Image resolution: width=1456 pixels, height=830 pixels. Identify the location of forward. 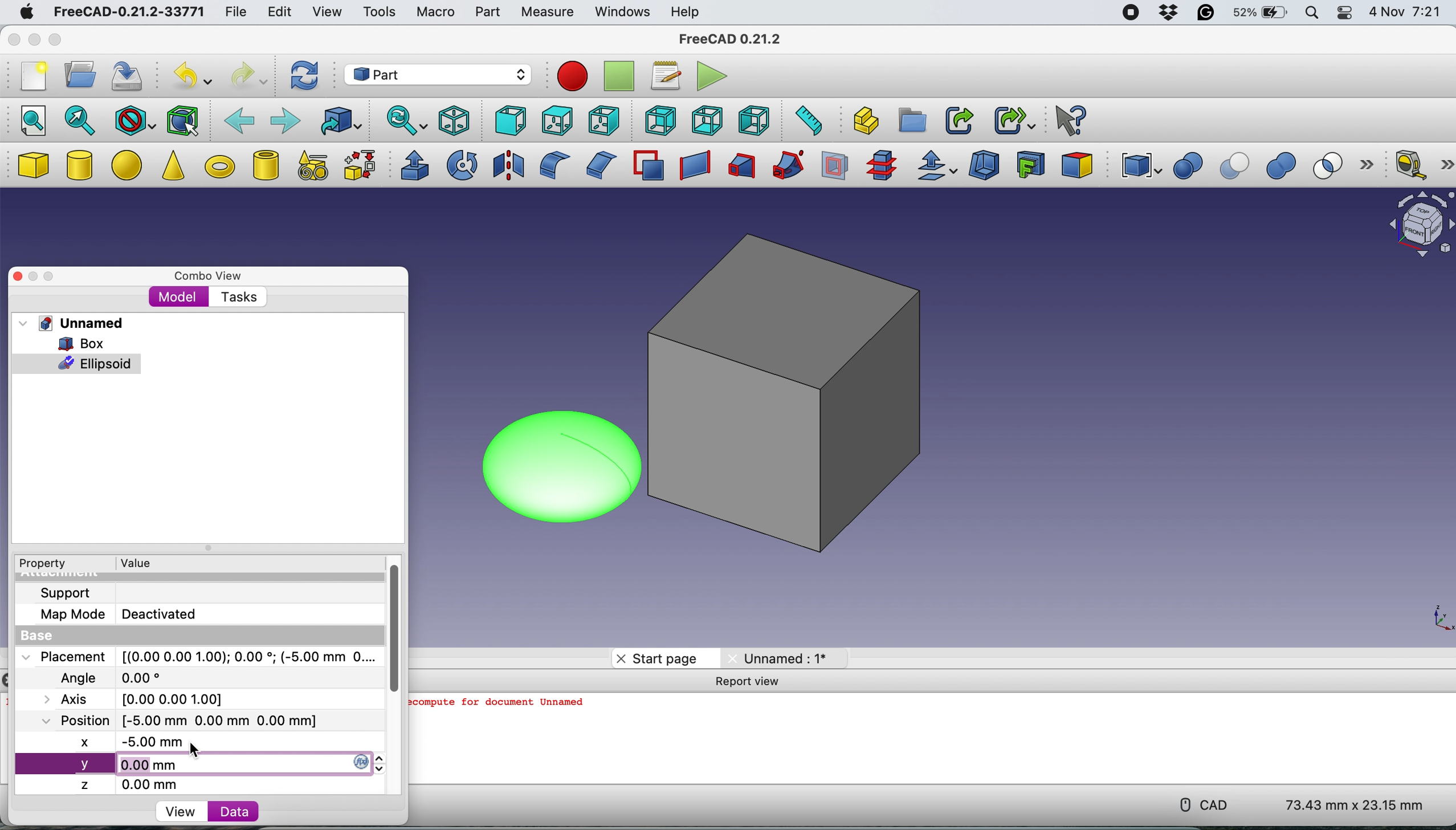
(284, 119).